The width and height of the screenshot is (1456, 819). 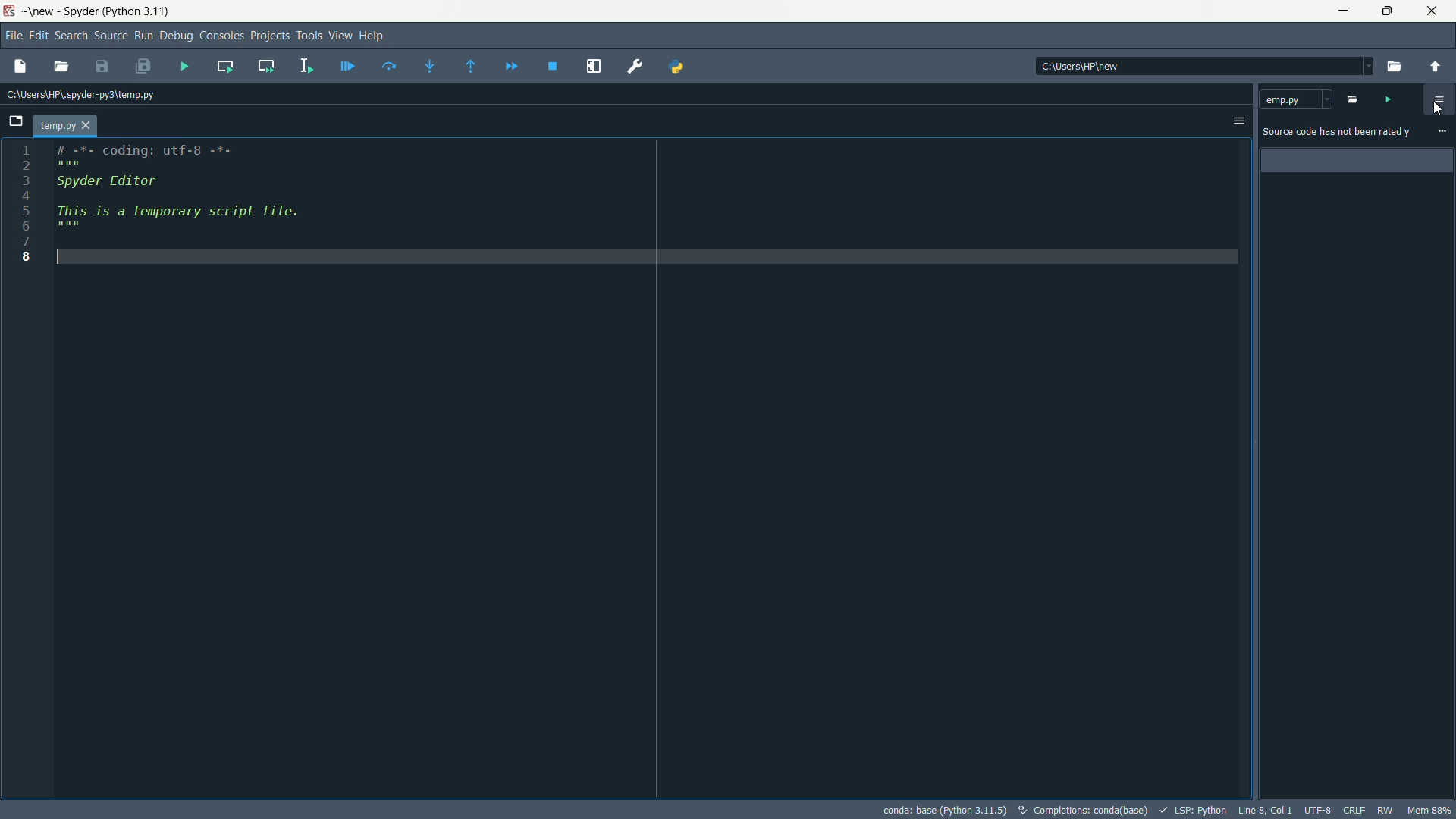 What do you see at coordinates (39, 14) in the screenshot?
I see `new` at bounding box center [39, 14].